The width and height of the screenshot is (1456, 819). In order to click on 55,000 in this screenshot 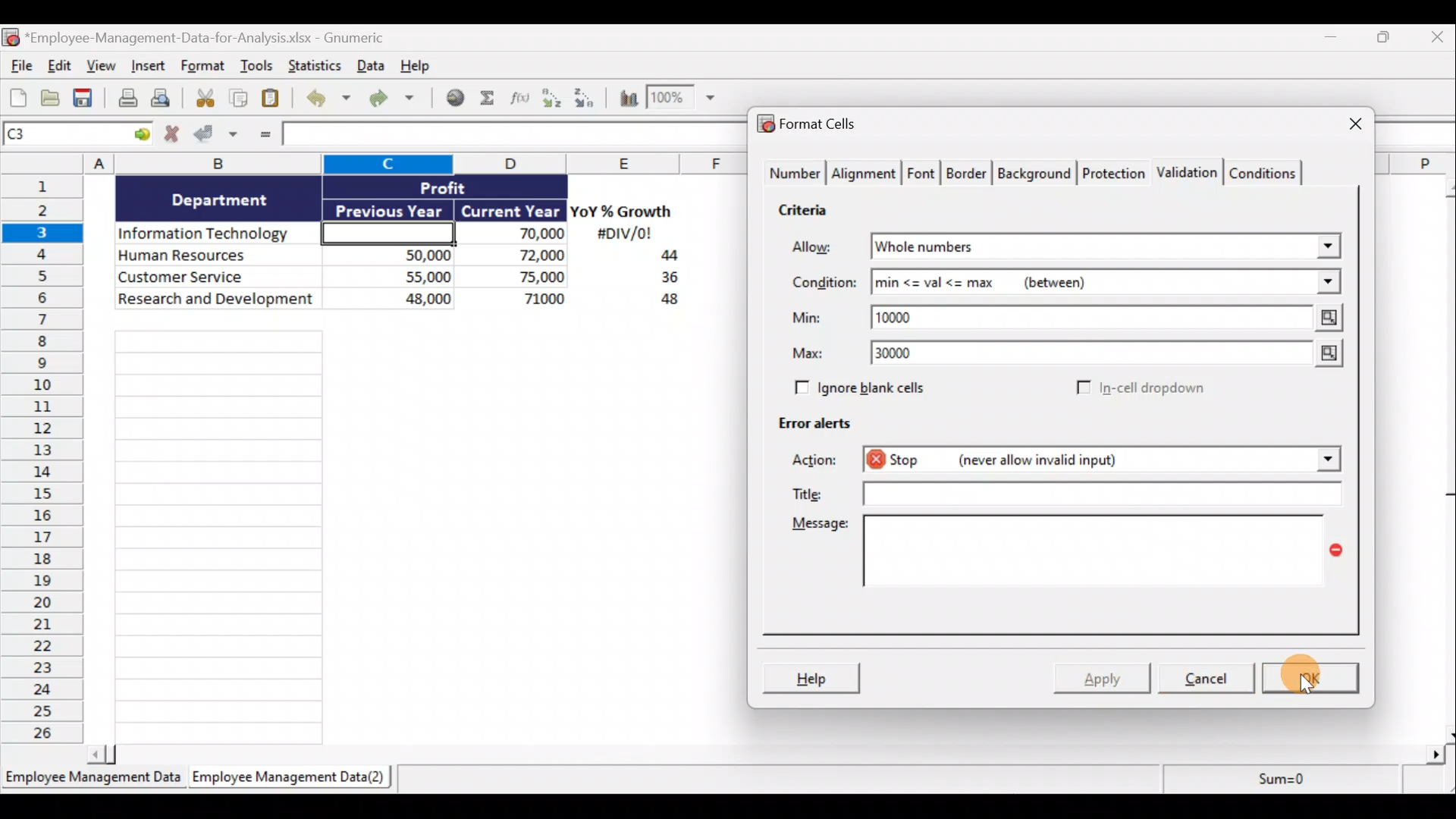, I will do `click(397, 276)`.